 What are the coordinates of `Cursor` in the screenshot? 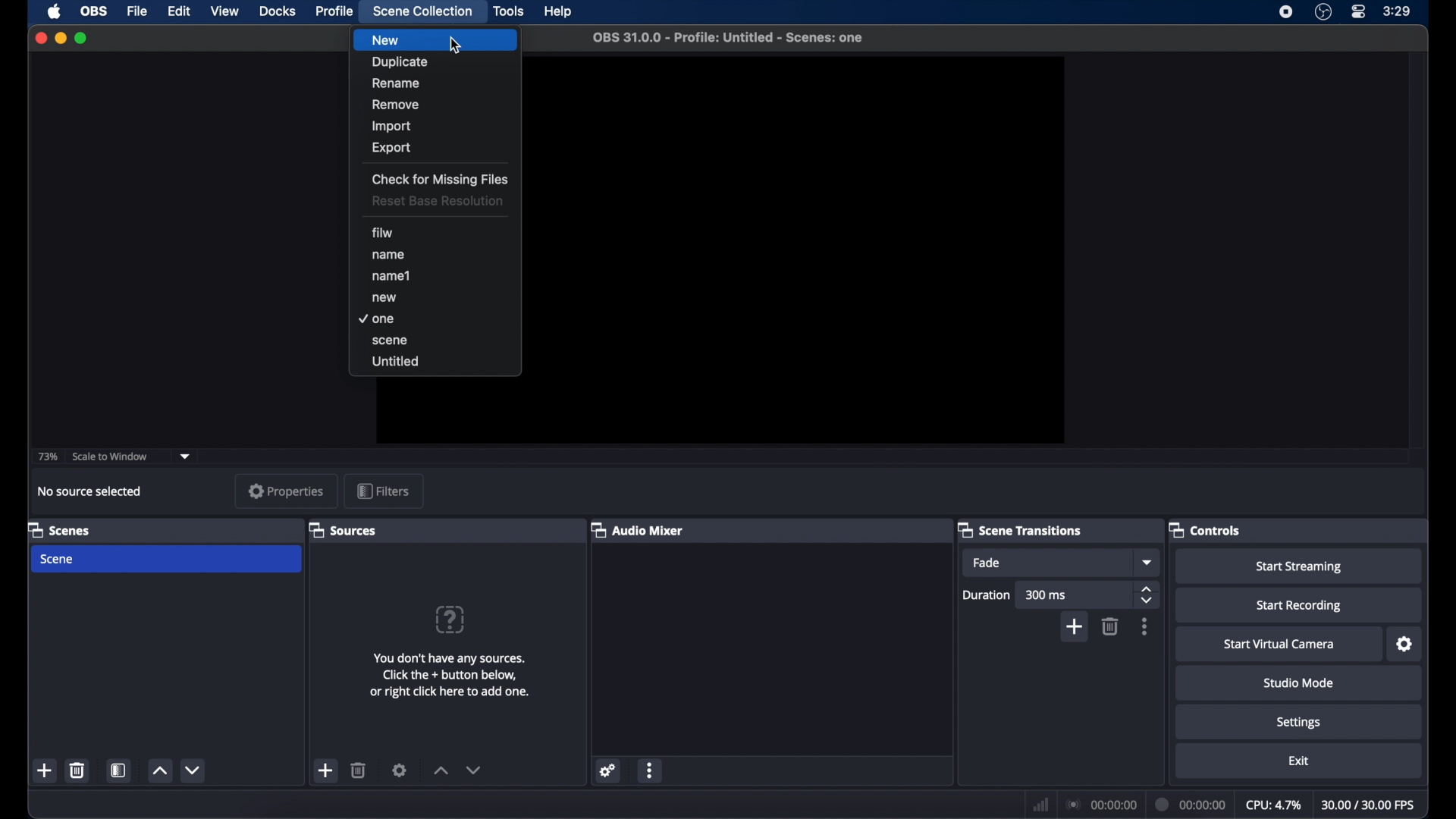 It's located at (455, 45).